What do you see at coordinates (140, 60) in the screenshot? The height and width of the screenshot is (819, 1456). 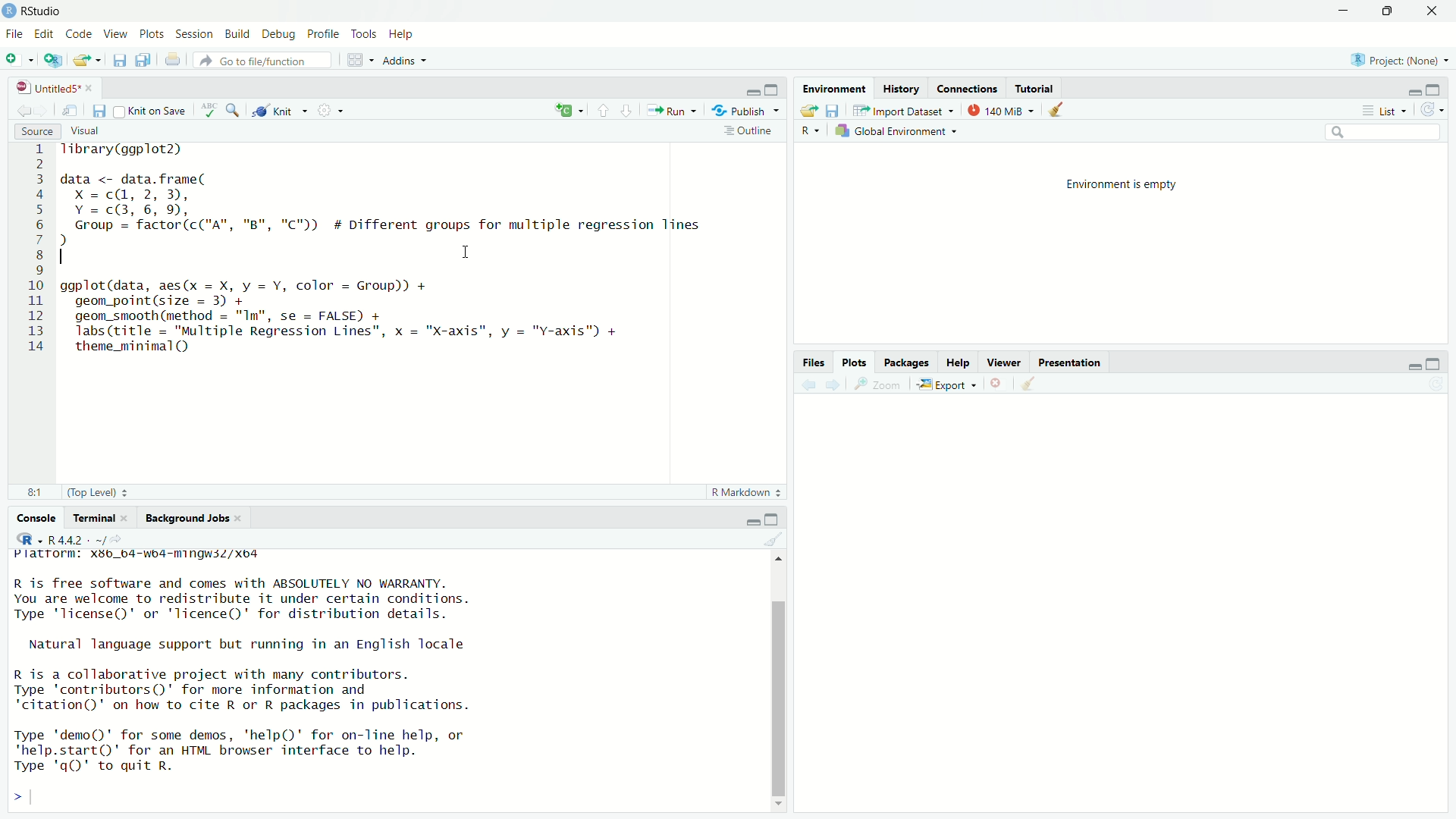 I see `files` at bounding box center [140, 60].